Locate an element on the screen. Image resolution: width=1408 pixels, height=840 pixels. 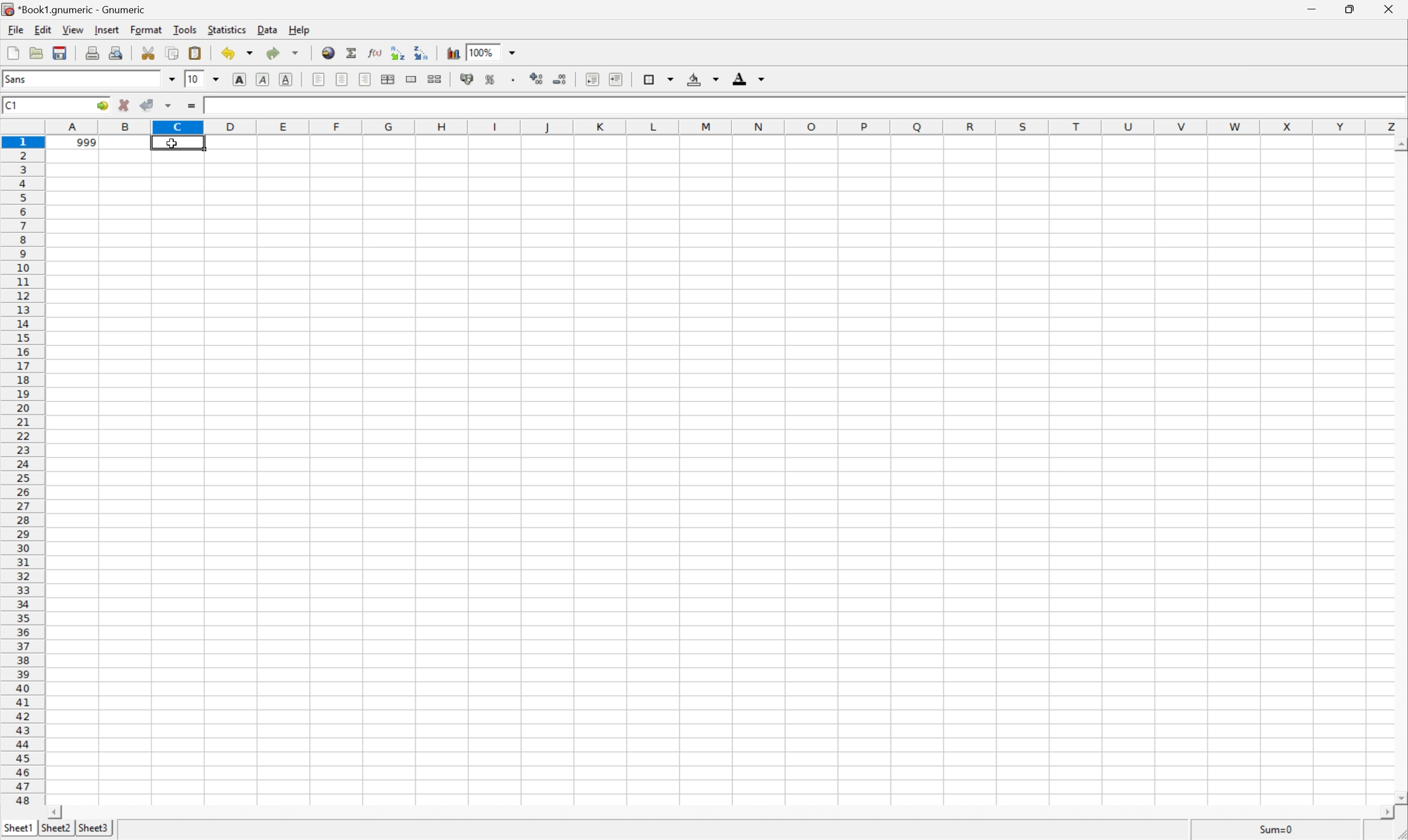
copy is located at coordinates (173, 51).